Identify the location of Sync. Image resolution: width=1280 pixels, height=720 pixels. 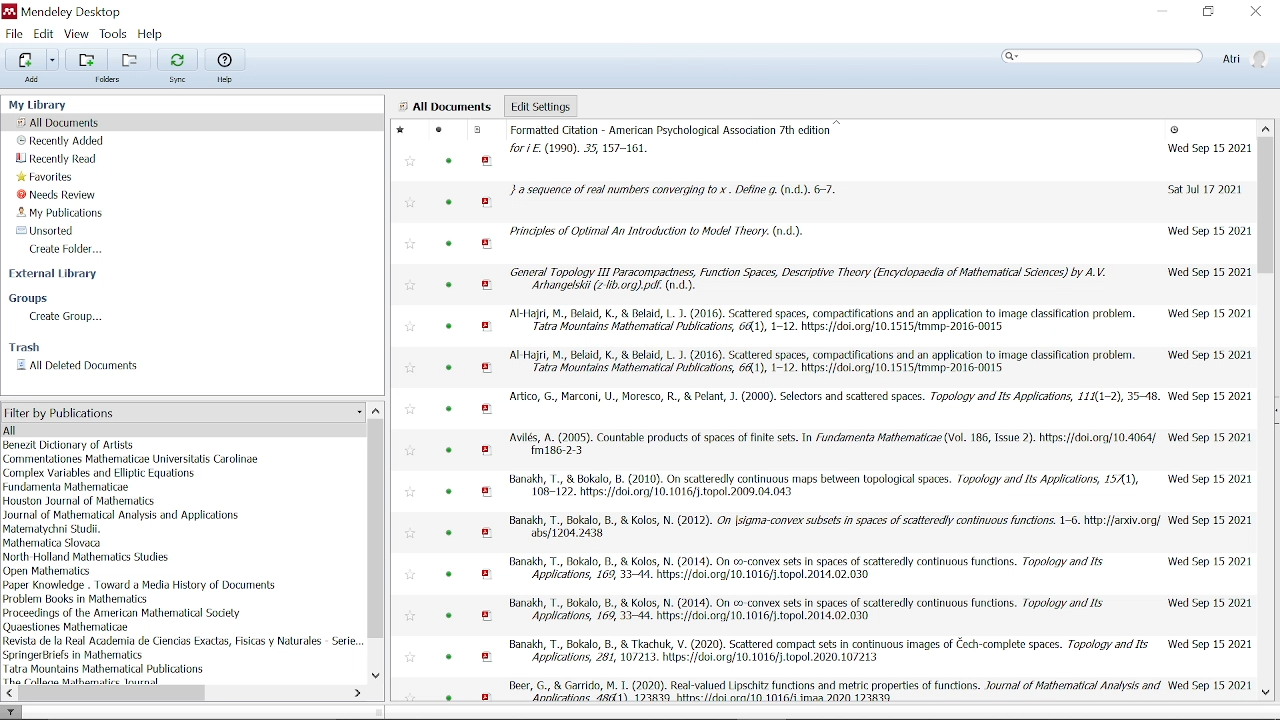
(176, 81).